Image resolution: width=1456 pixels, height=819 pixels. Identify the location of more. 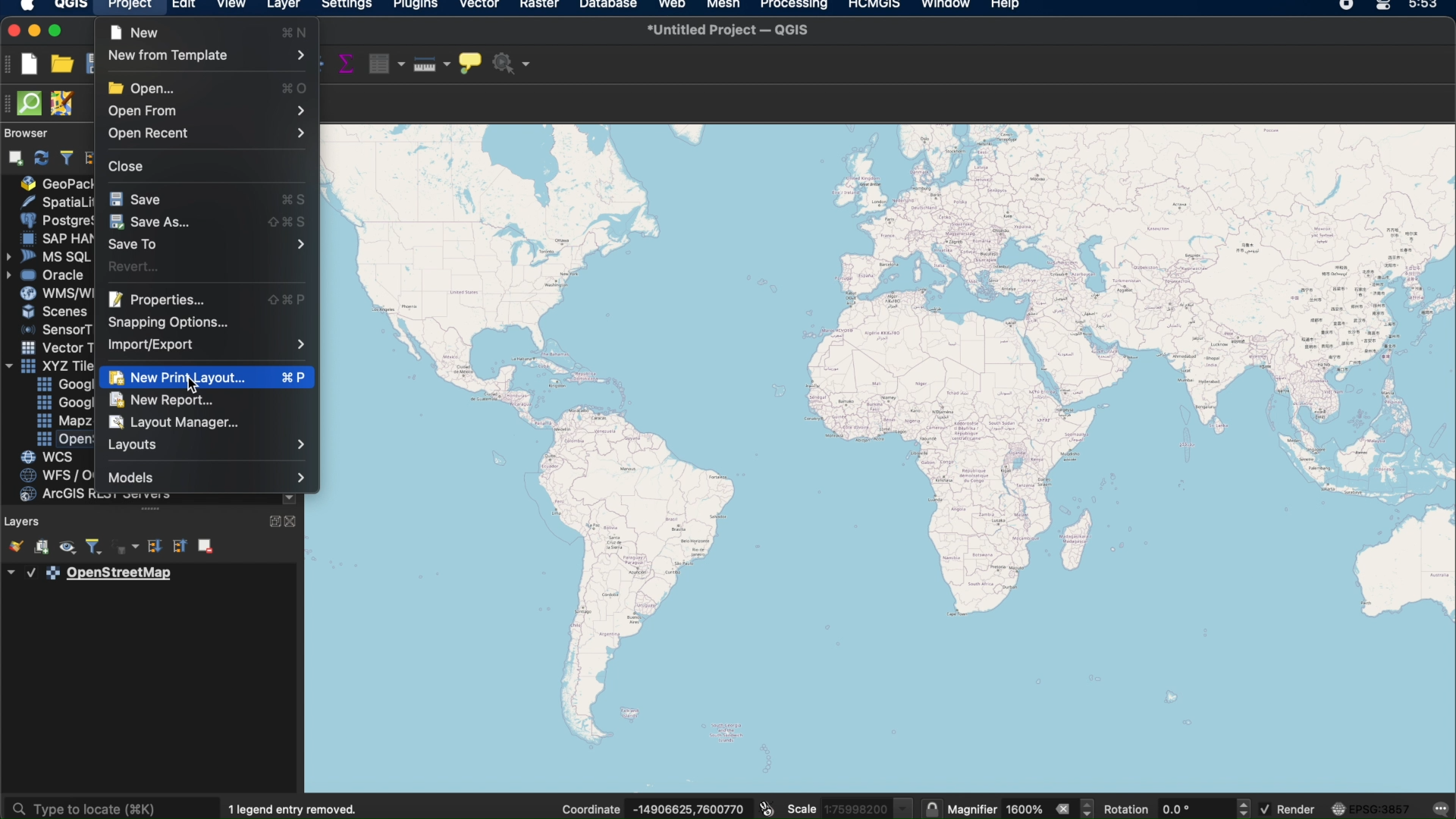
(149, 512).